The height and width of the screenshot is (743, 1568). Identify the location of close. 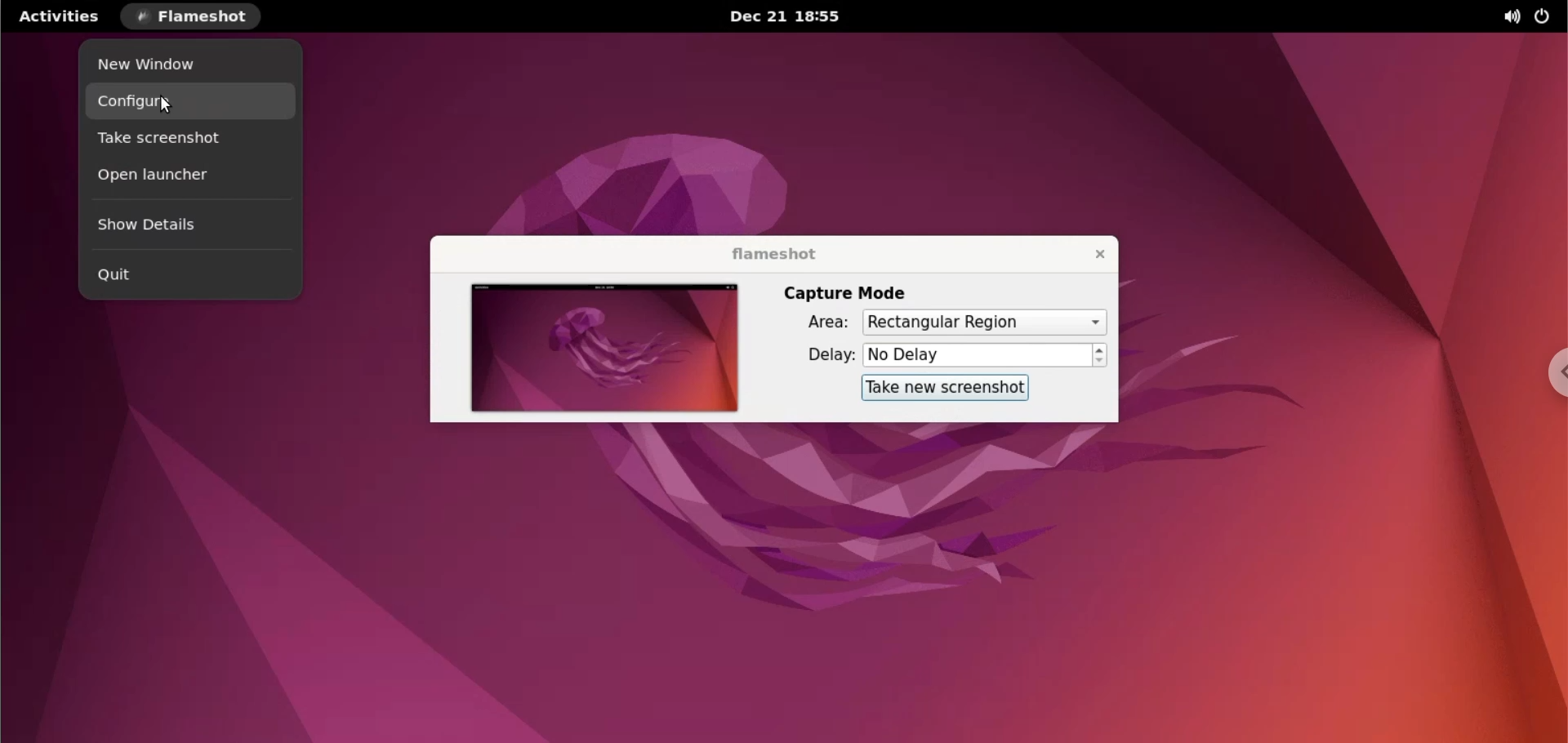
(1092, 254).